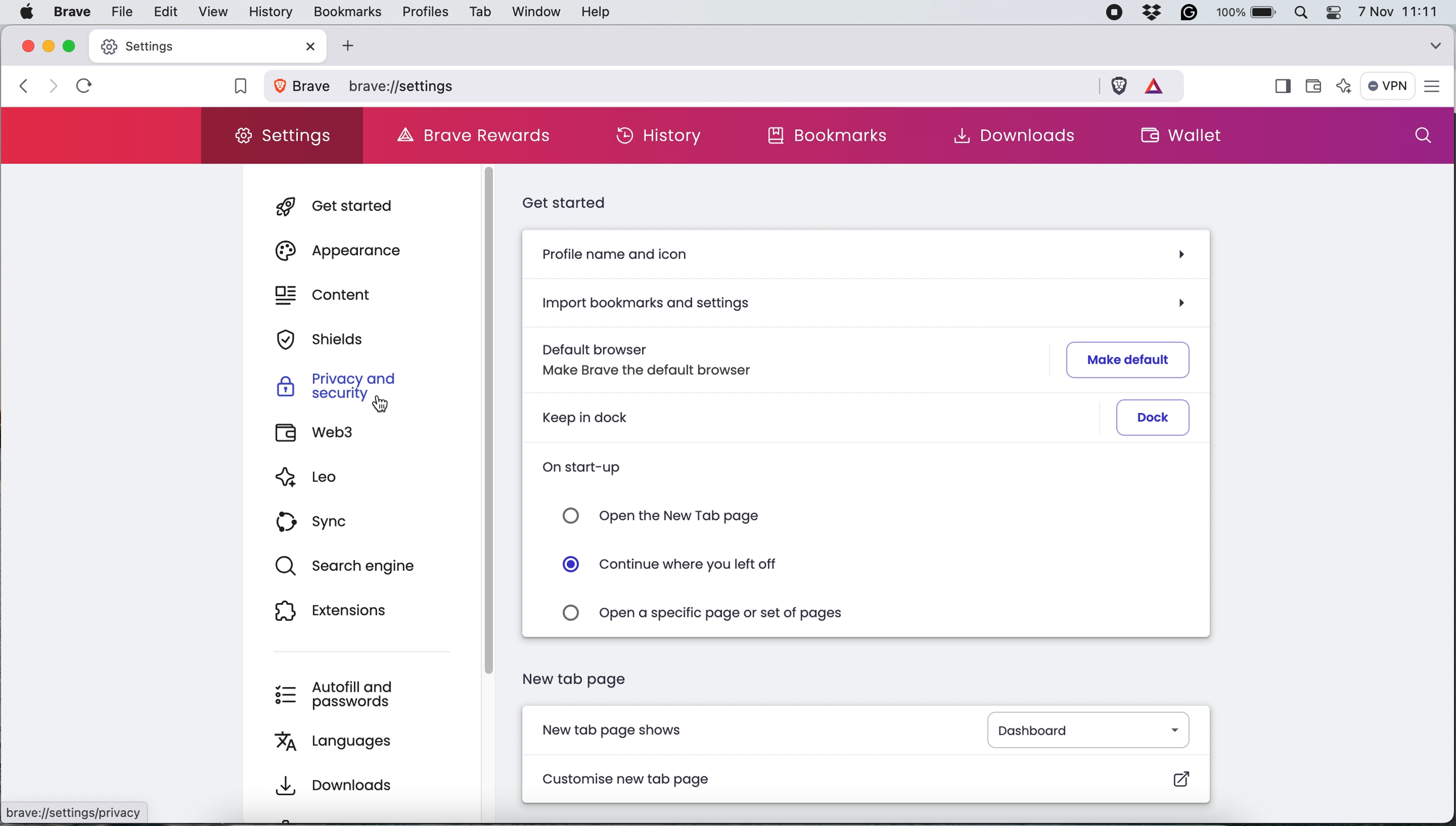 Image resolution: width=1456 pixels, height=826 pixels. Describe the element at coordinates (863, 259) in the screenshot. I see `profile name and icon` at that location.